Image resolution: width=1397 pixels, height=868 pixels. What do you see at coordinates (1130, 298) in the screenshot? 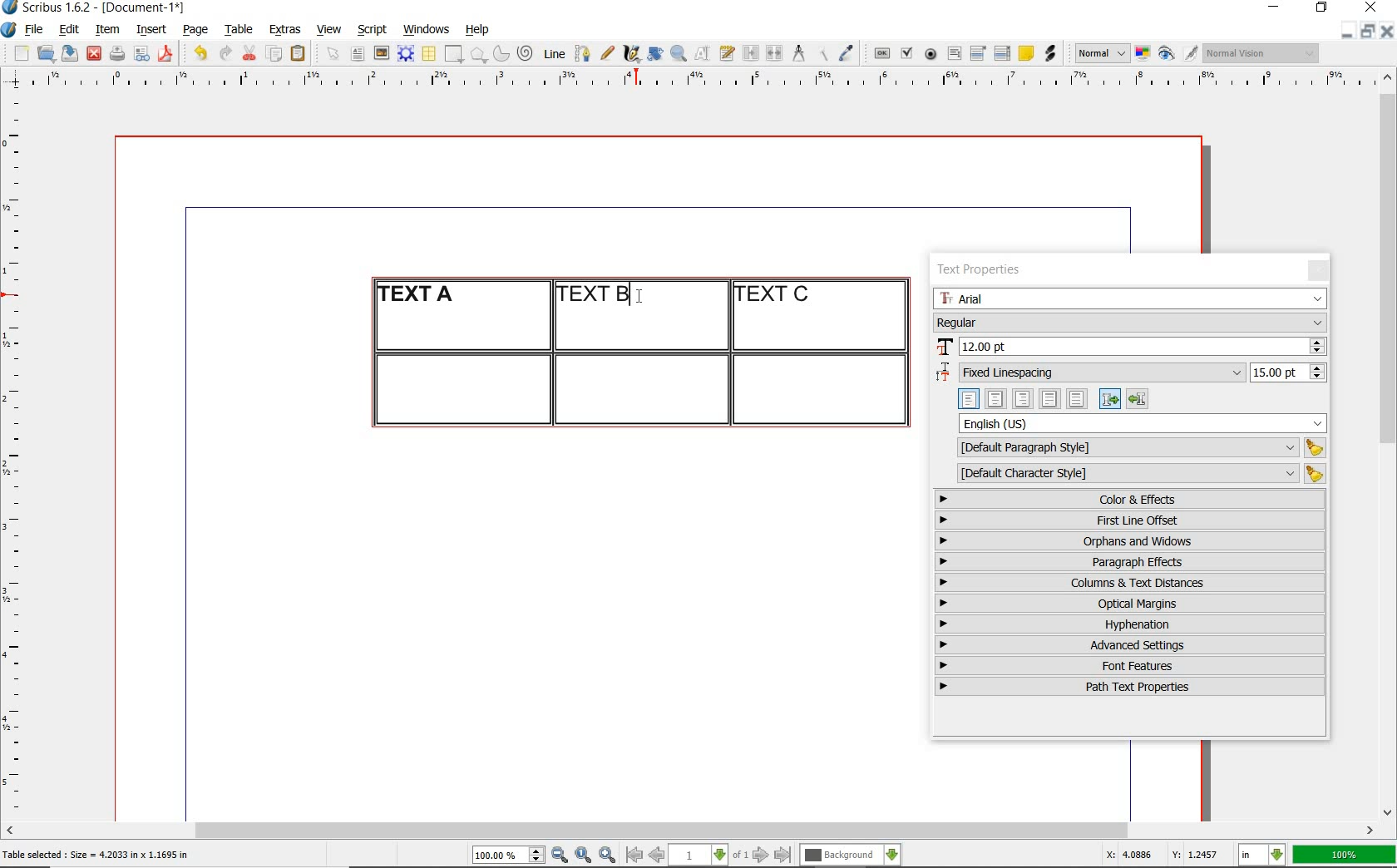
I see `font family` at bounding box center [1130, 298].